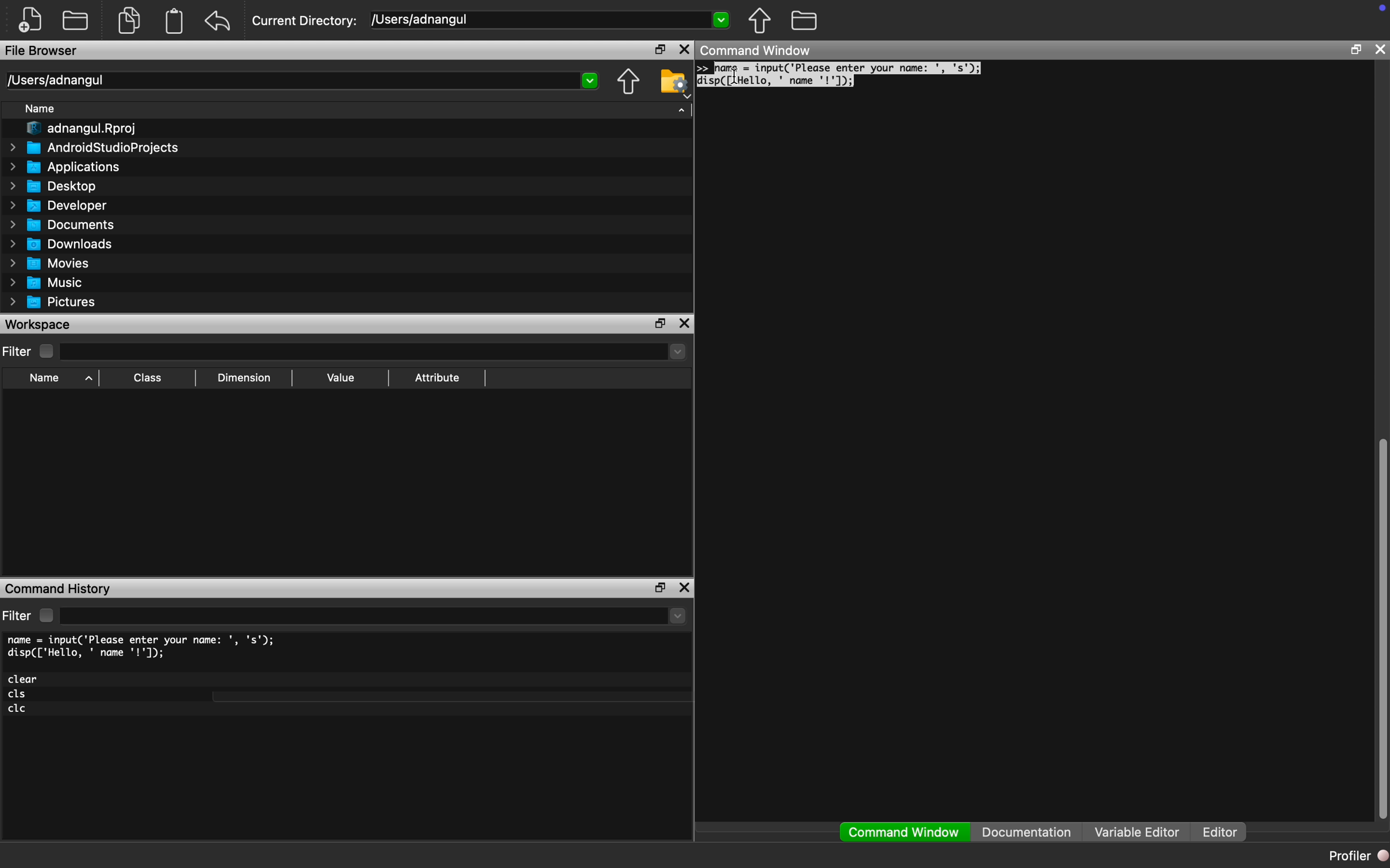  Describe the element at coordinates (175, 21) in the screenshot. I see `clipboard` at that location.